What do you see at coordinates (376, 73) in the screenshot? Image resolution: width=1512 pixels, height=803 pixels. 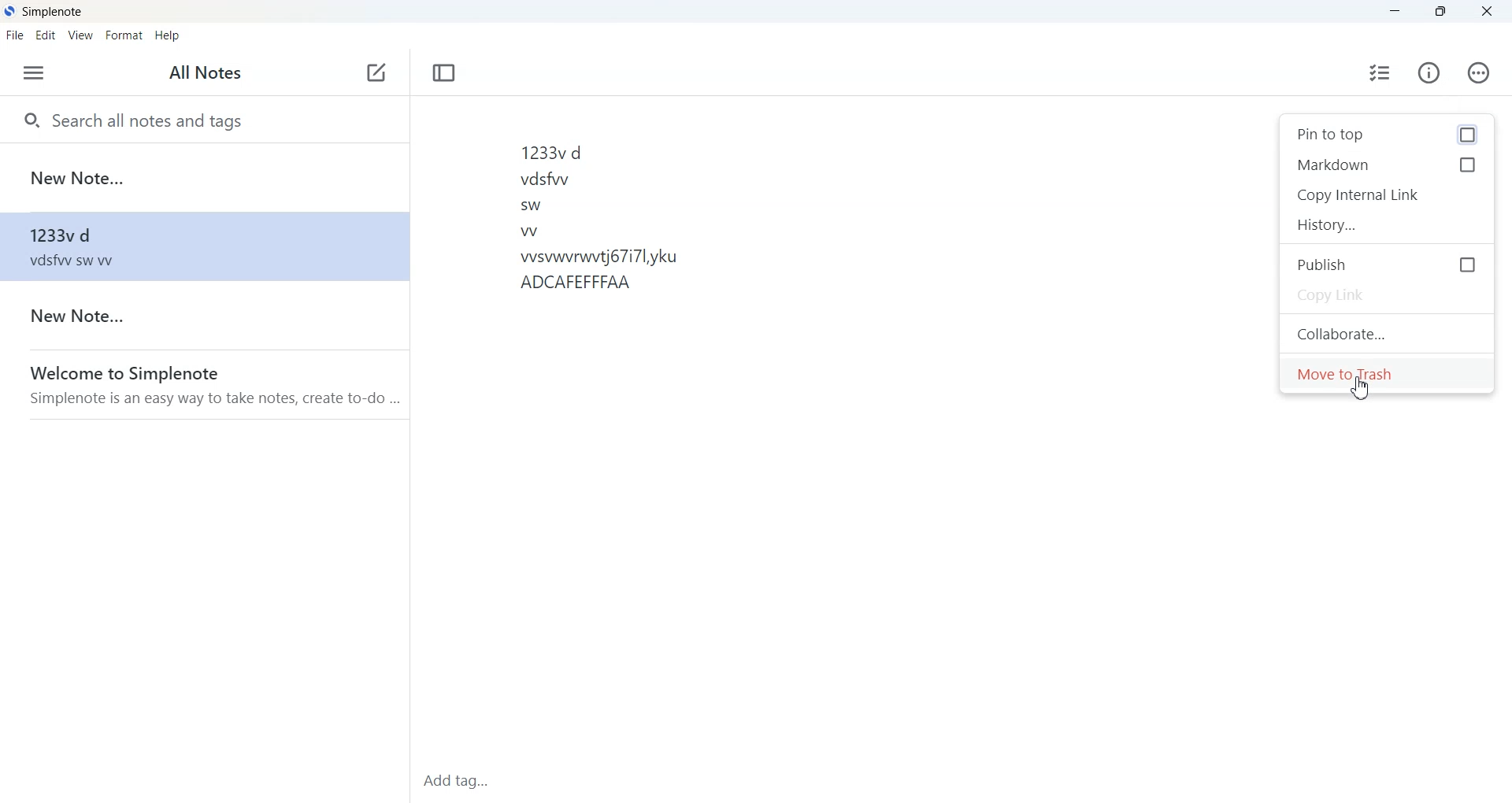 I see `Add new note` at bounding box center [376, 73].